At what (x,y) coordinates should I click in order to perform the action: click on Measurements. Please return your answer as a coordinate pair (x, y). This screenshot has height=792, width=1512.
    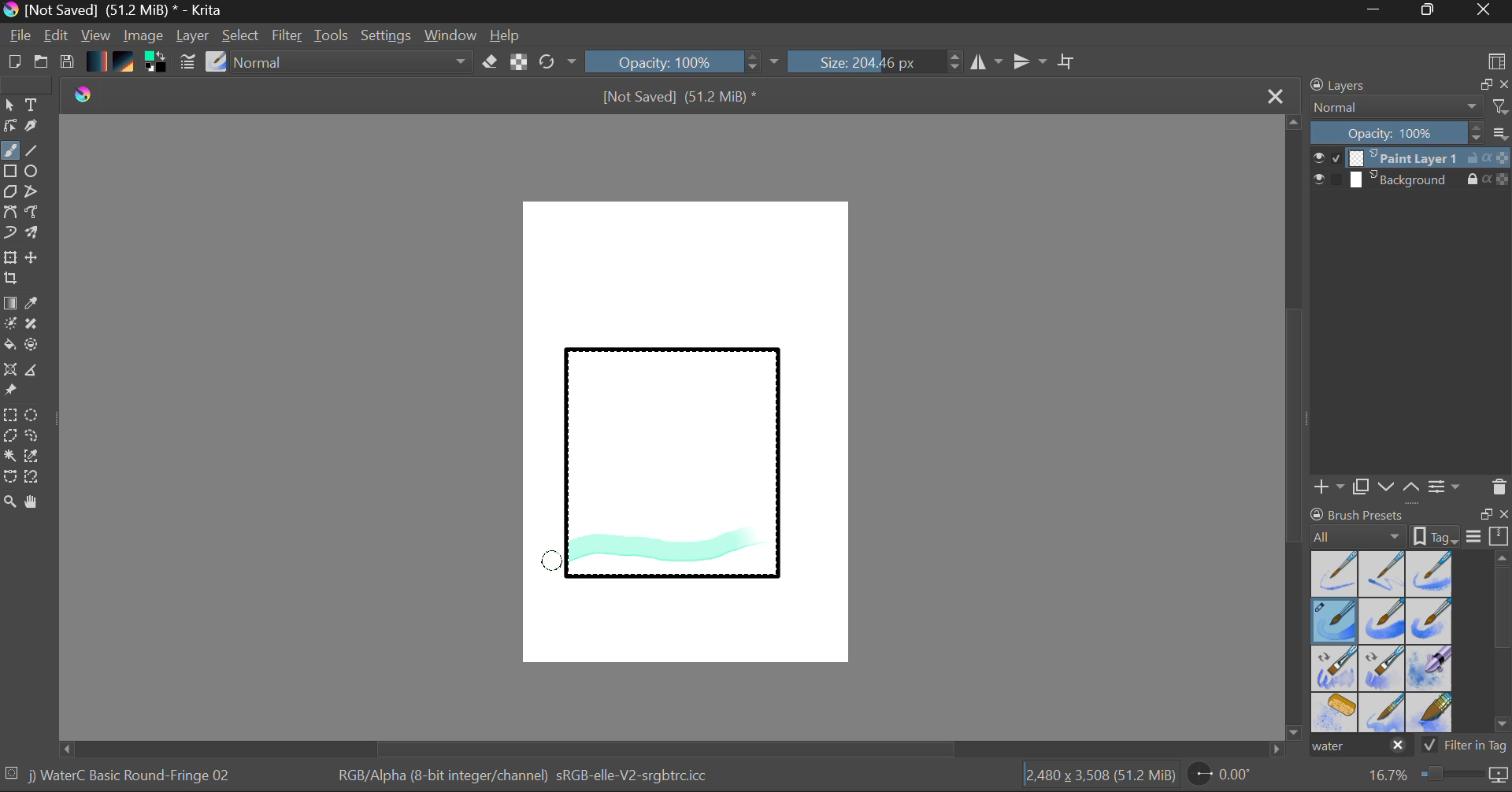
    Looking at the image, I should click on (34, 372).